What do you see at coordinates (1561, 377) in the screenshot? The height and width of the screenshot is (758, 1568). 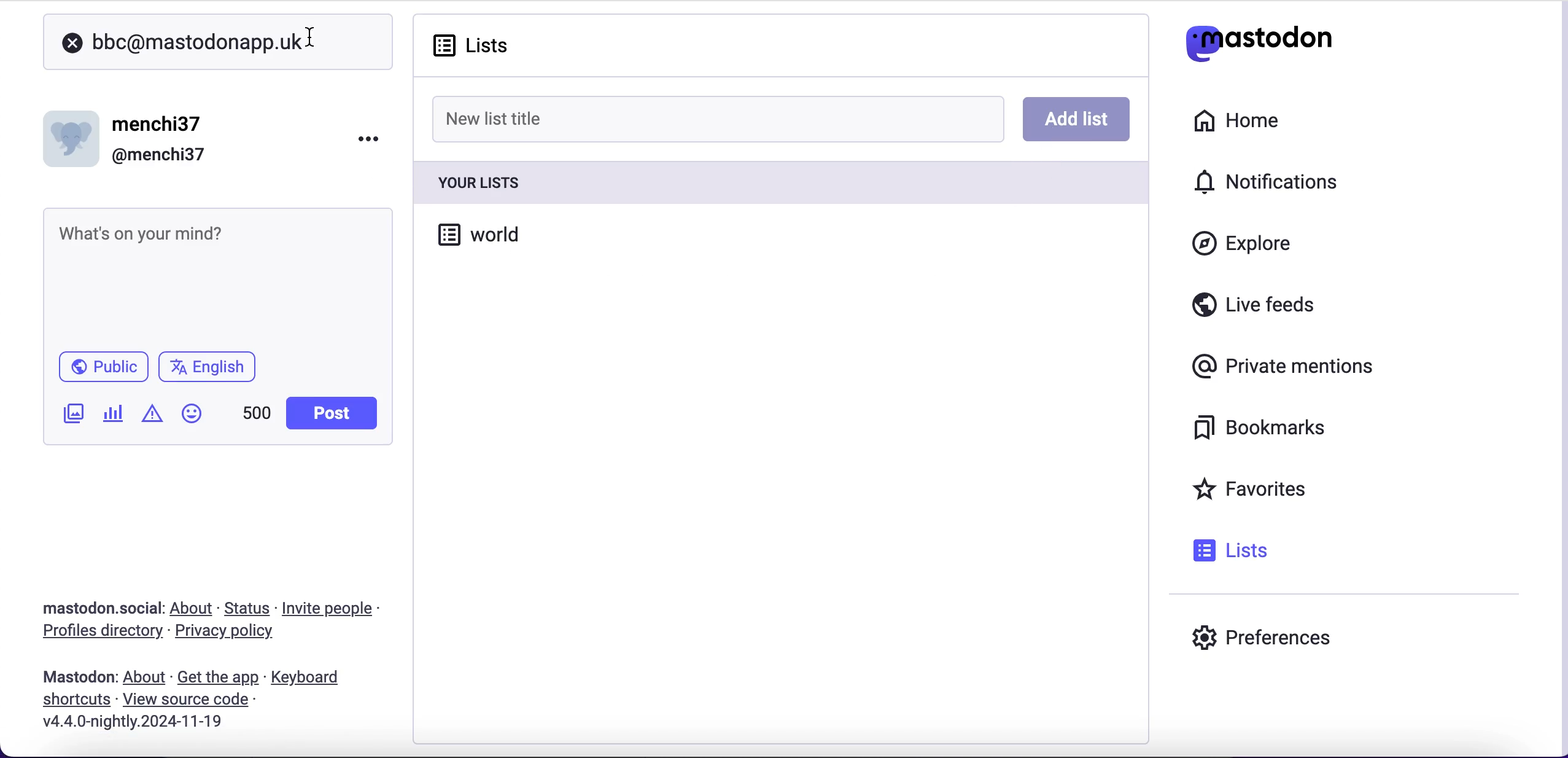 I see `scroll bar` at bounding box center [1561, 377].